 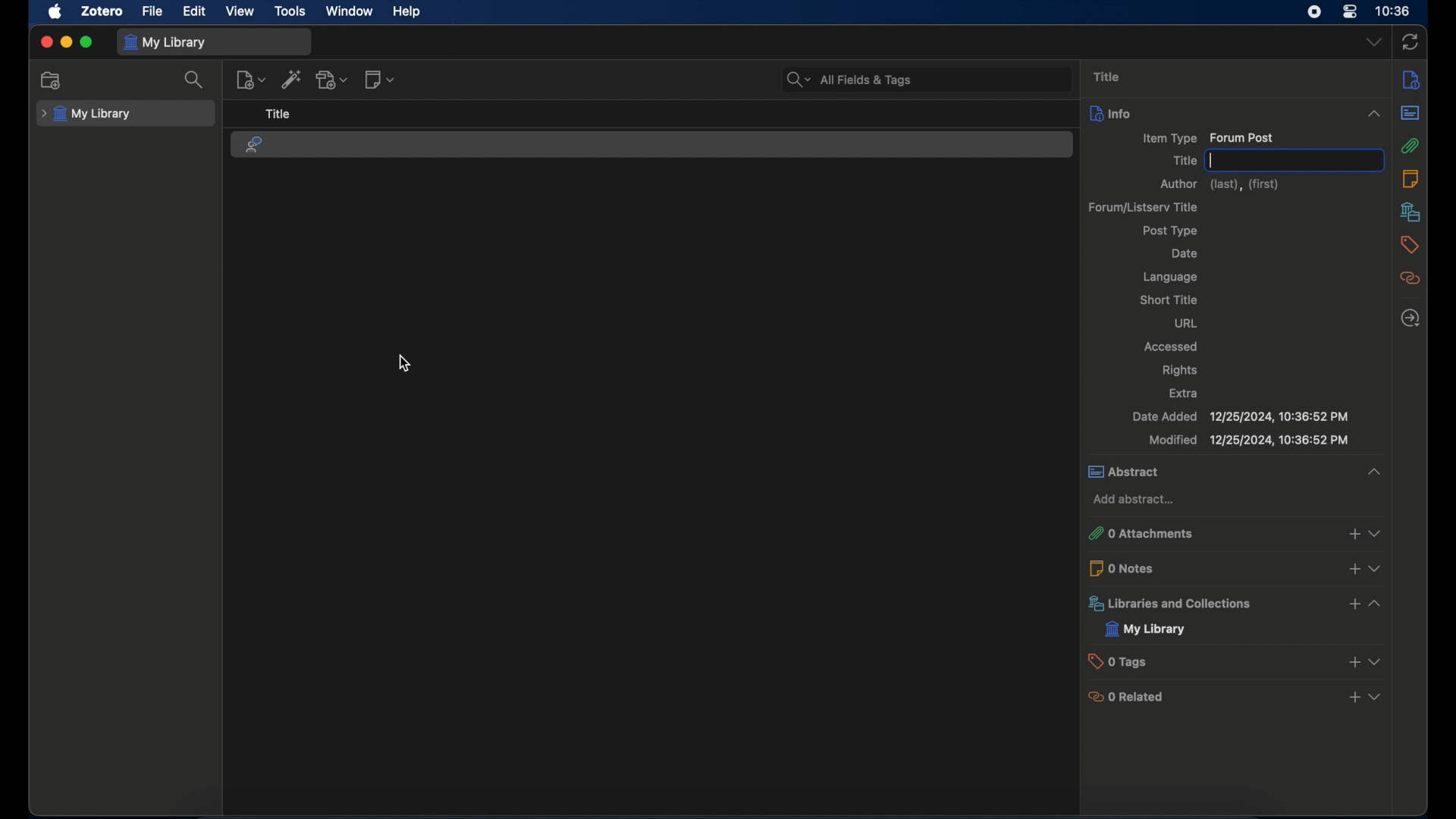 I want to click on add abstract, so click(x=1134, y=499).